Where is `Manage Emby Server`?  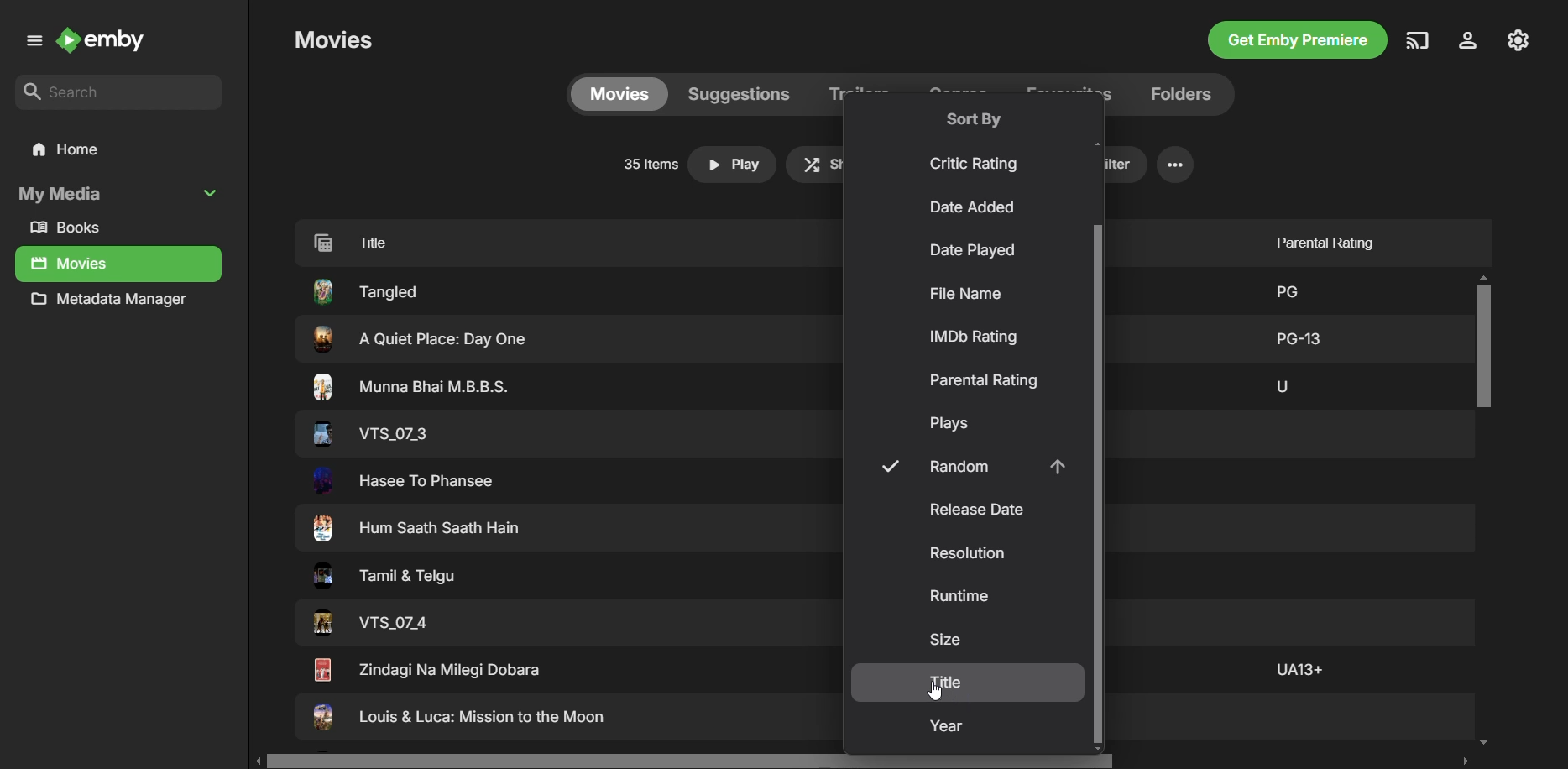 Manage Emby Server is located at coordinates (1520, 39).